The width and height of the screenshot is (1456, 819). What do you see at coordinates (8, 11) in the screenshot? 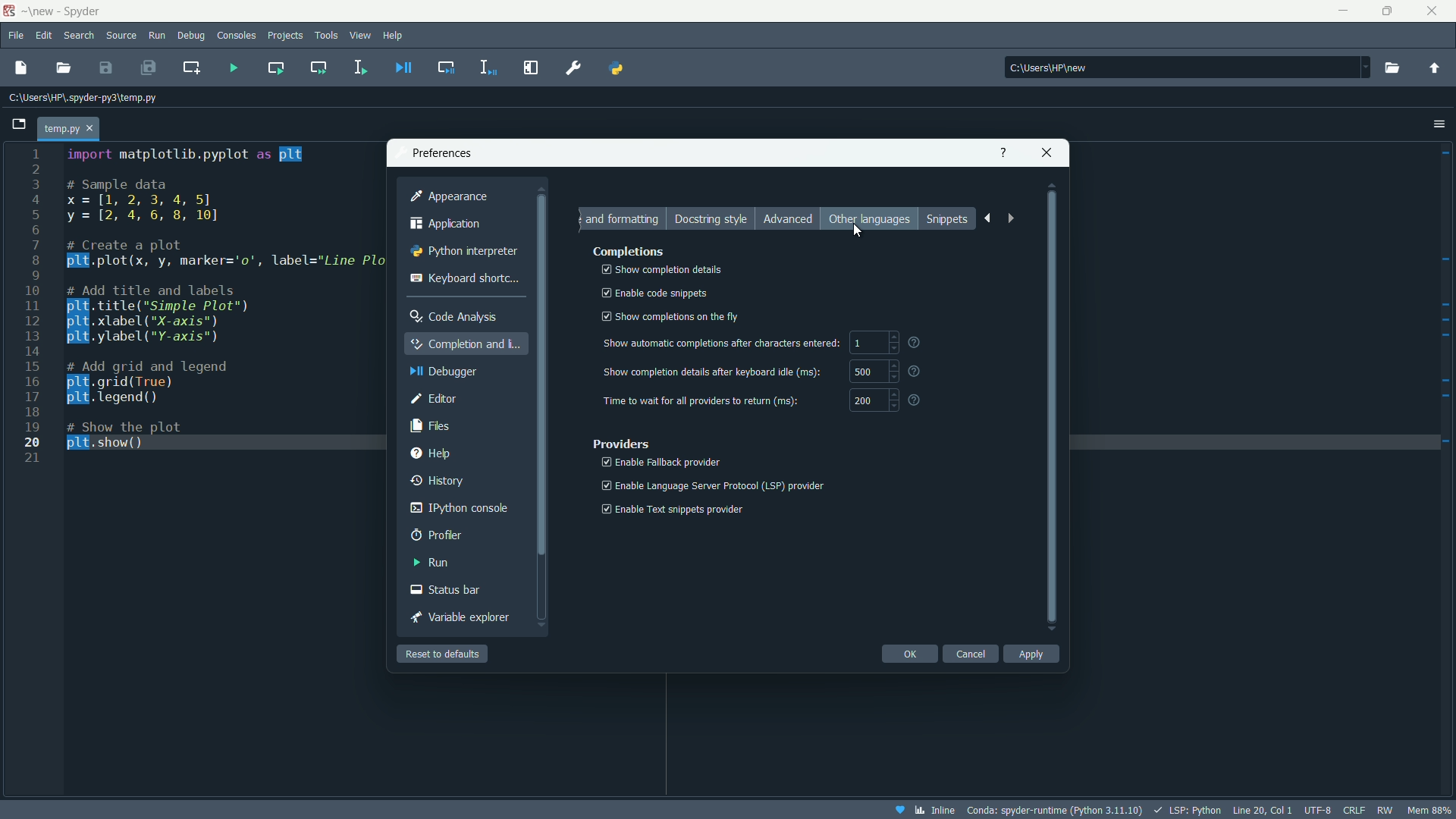
I see `app icon` at bounding box center [8, 11].